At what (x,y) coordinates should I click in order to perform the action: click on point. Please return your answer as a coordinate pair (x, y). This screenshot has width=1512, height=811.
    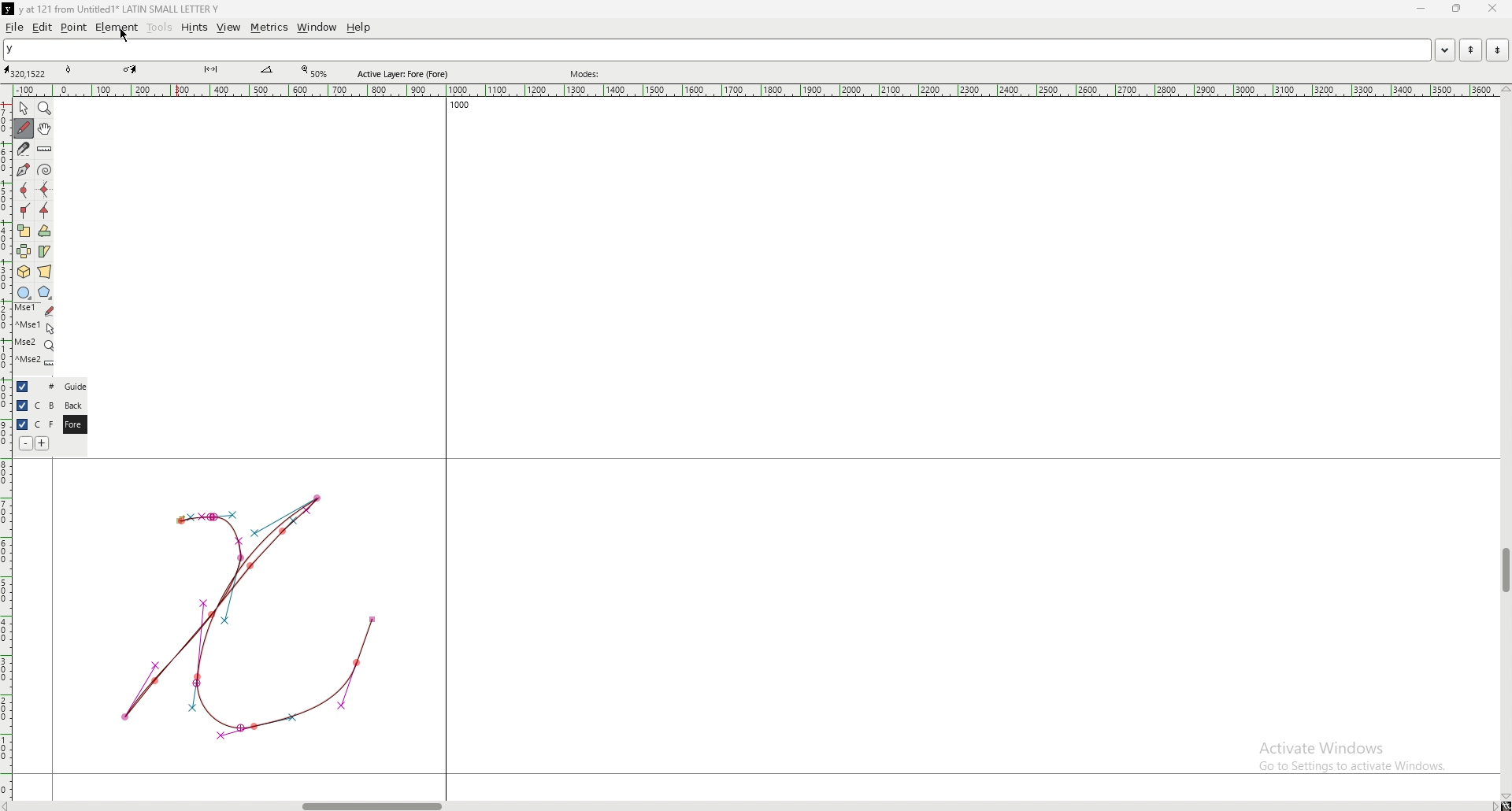
    Looking at the image, I should click on (74, 27).